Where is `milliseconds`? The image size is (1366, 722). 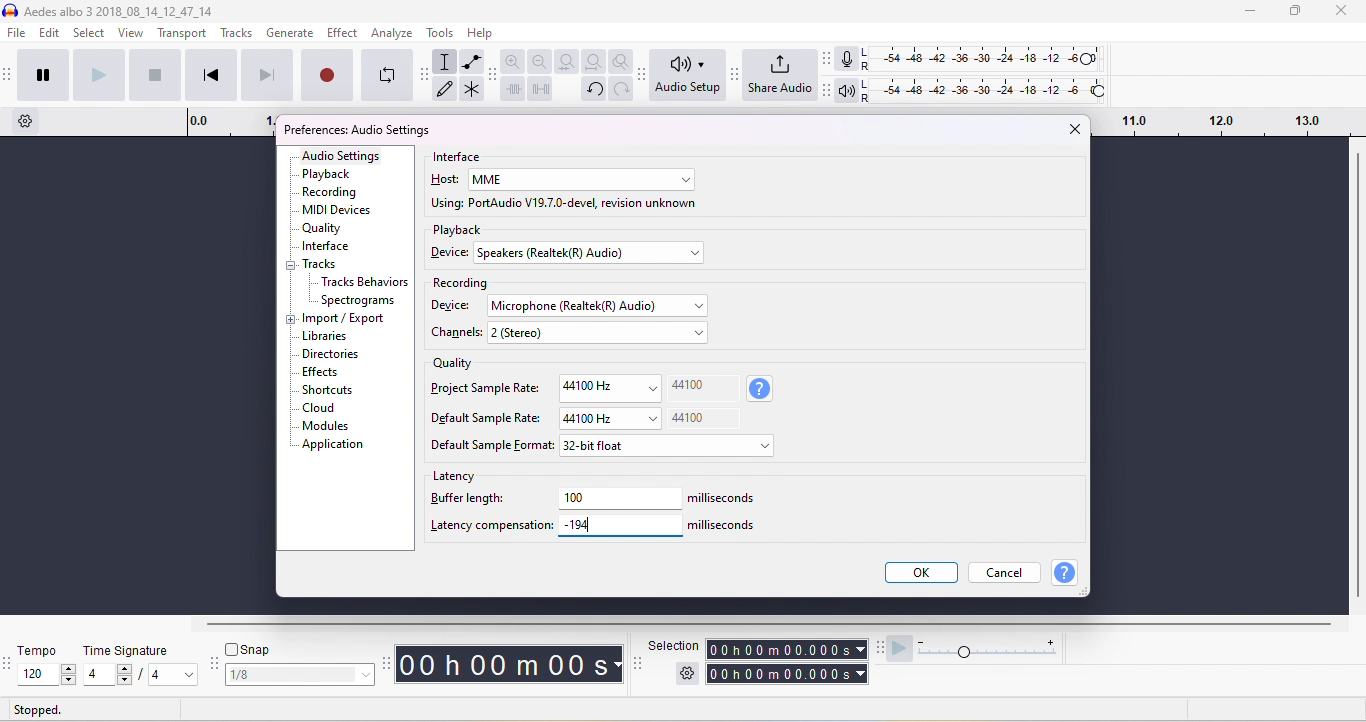 milliseconds is located at coordinates (724, 524).